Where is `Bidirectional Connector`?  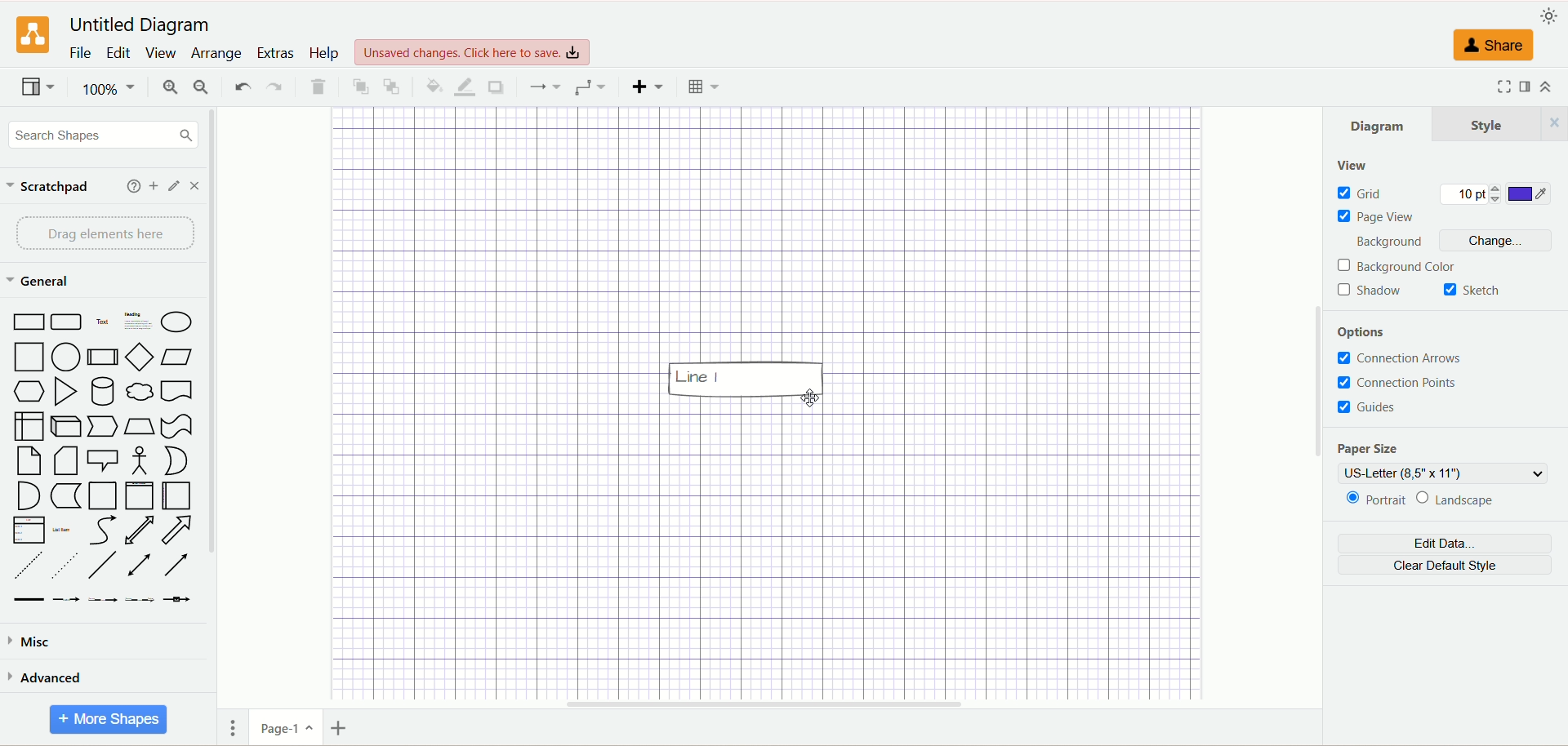 Bidirectional Connector is located at coordinates (140, 565).